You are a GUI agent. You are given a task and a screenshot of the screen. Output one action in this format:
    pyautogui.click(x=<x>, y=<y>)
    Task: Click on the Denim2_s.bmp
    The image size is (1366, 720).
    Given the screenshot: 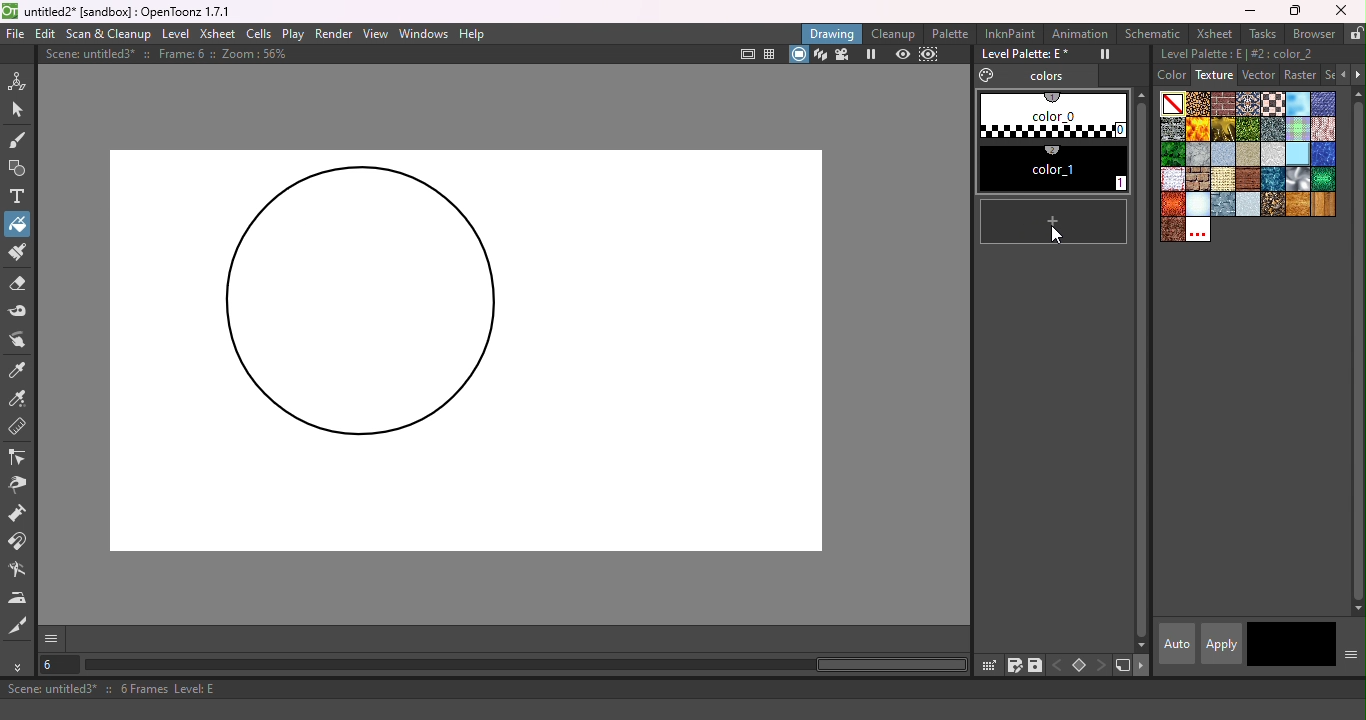 What is the action you would take?
    pyautogui.click(x=1324, y=102)
    